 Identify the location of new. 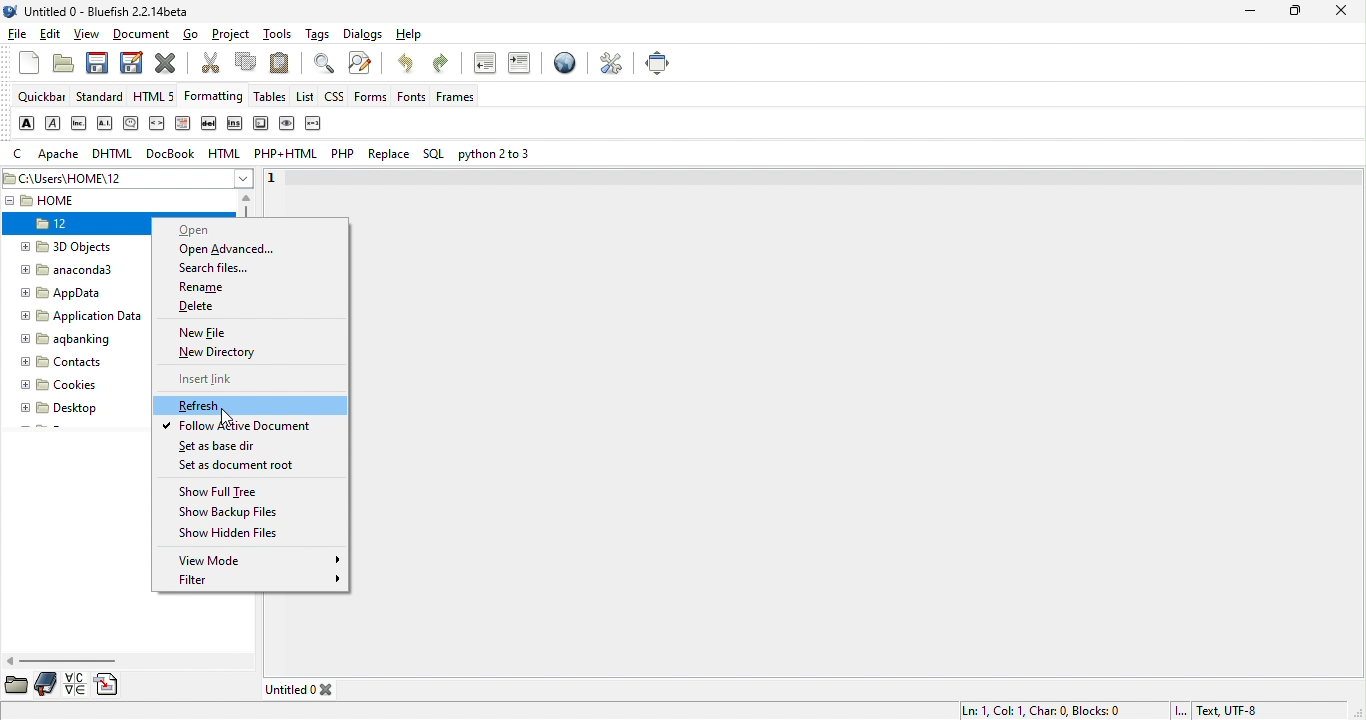
(23, 64).